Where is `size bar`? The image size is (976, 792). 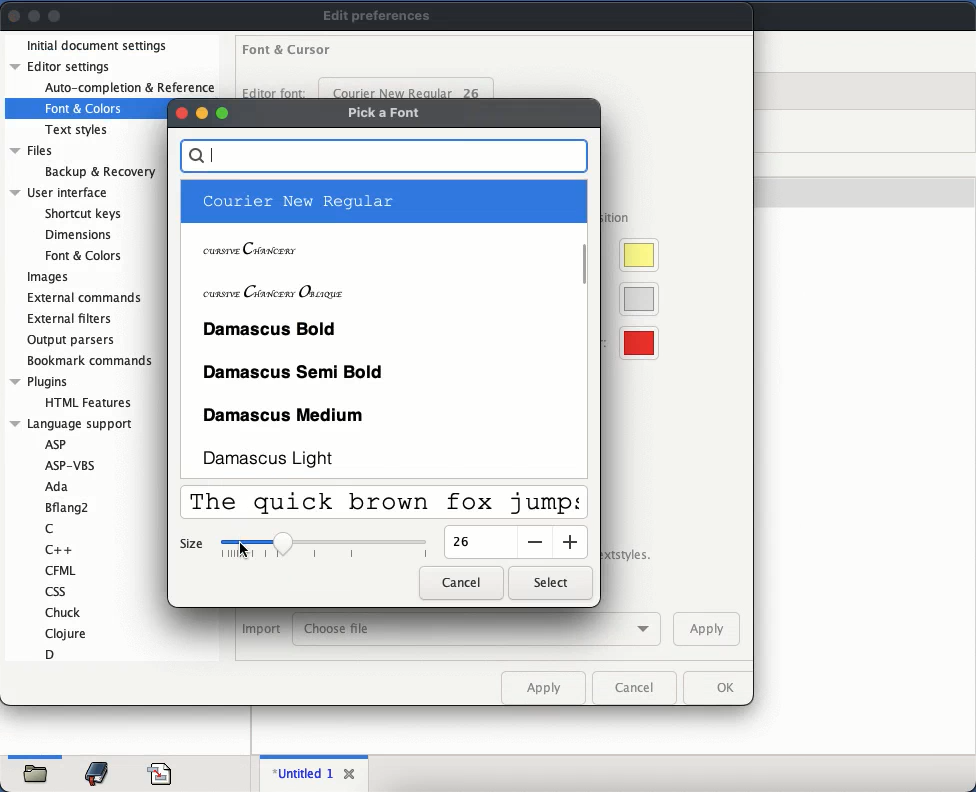
size bar is located at coordinates (322, 545).